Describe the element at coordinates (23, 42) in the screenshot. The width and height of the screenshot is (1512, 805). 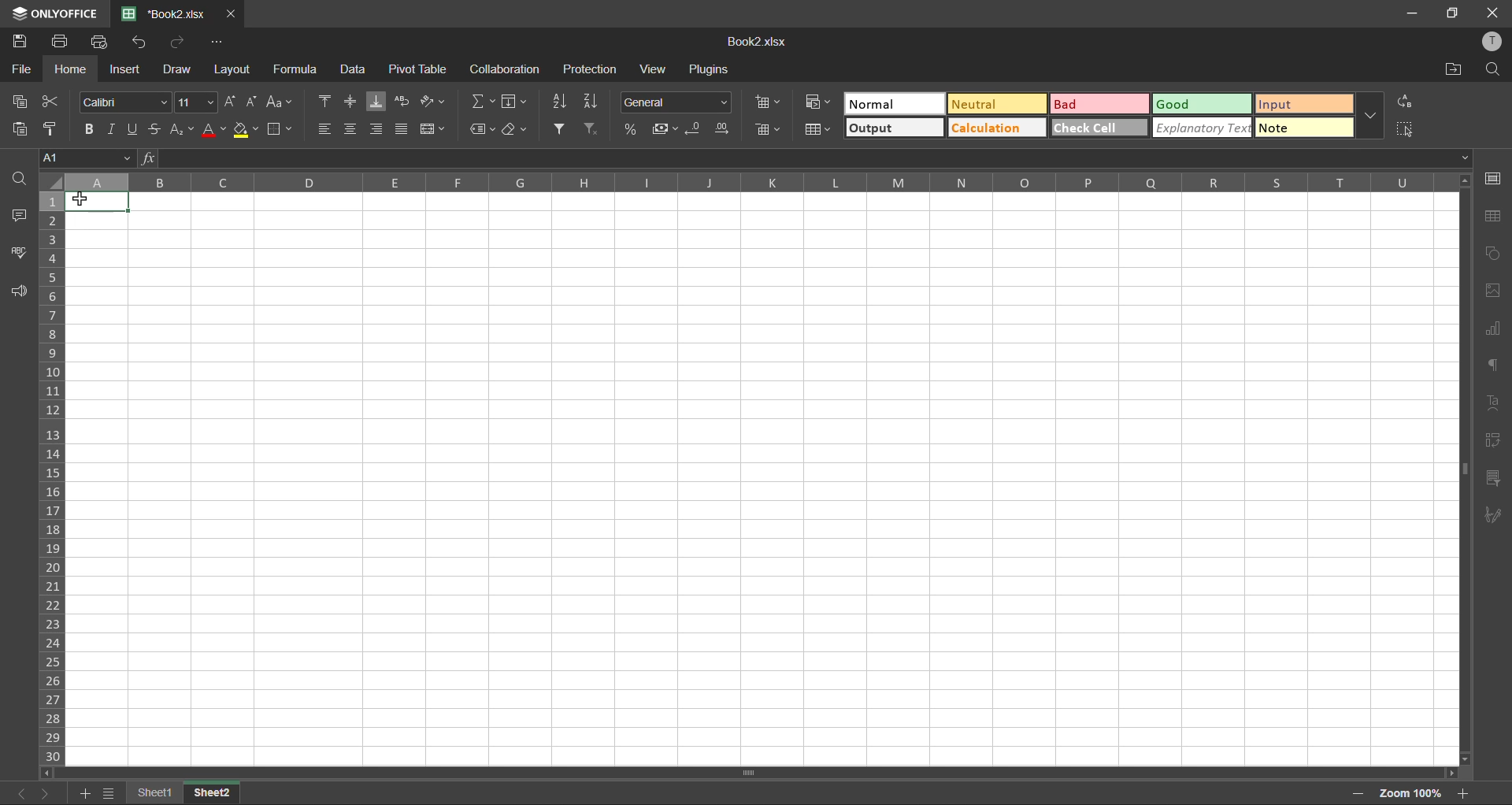
I see `save` at that location.